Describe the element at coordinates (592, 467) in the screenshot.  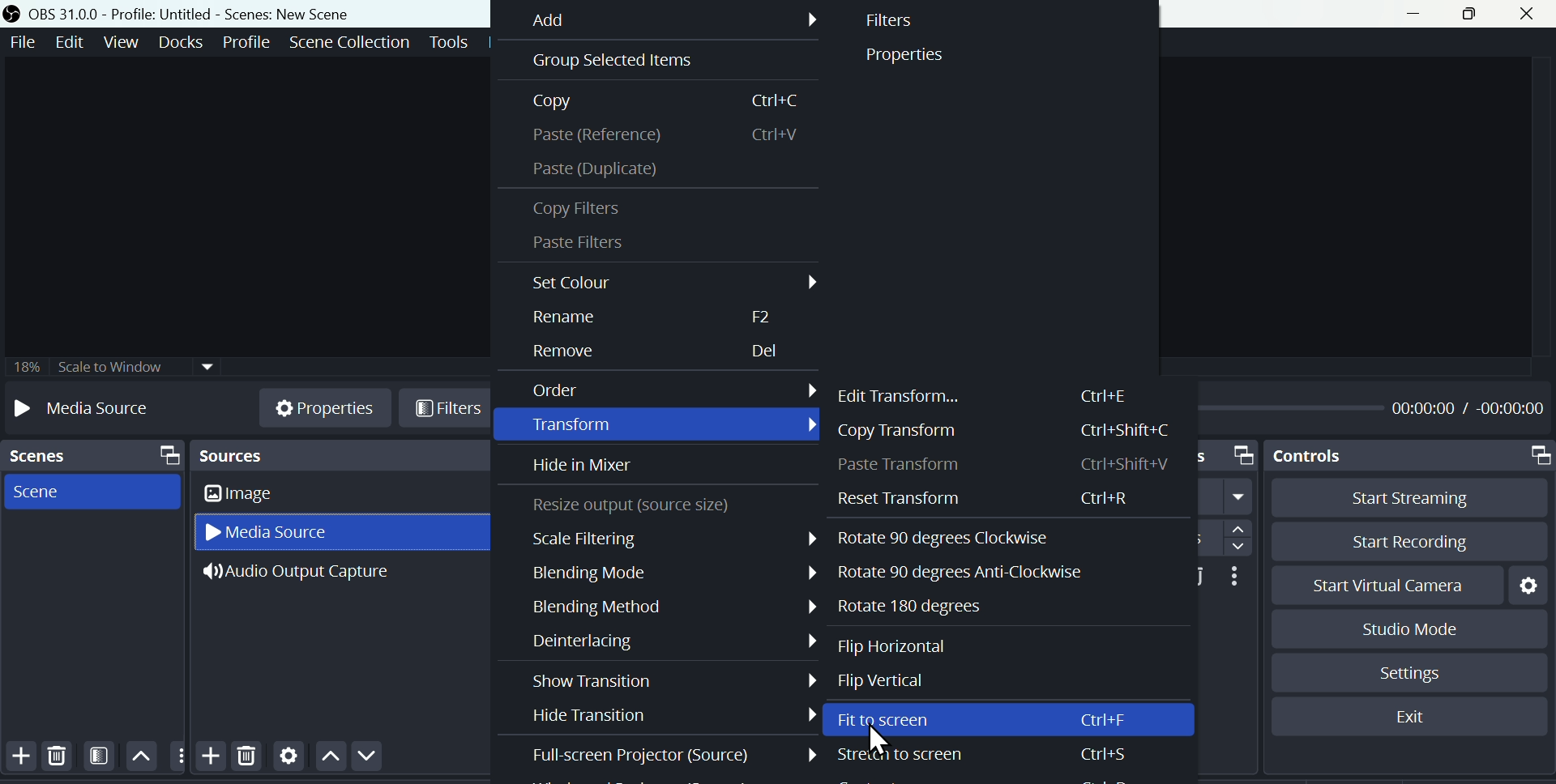
I see `Hidden in mixer` at that location.